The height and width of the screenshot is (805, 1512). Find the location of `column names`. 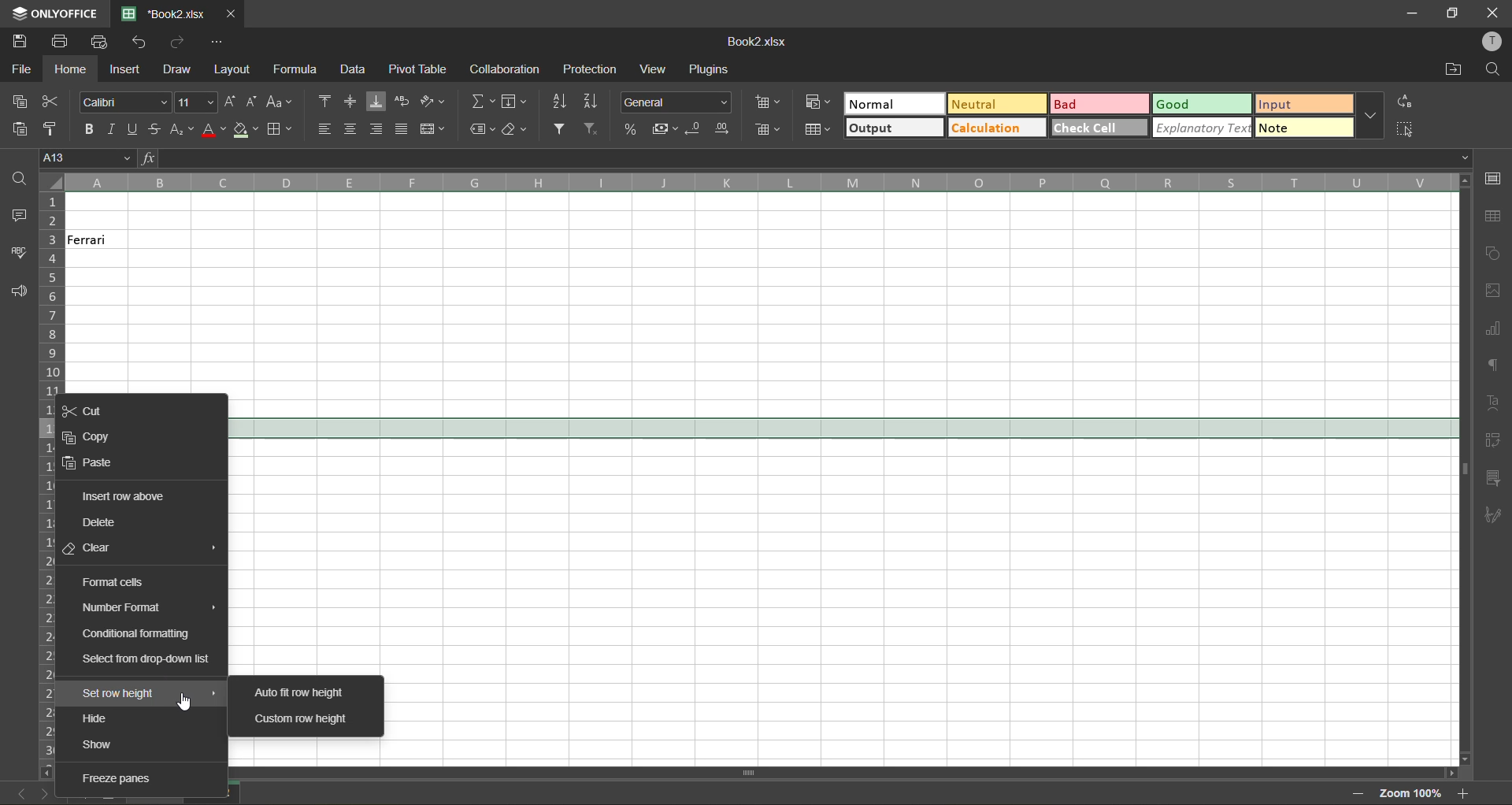

column names is located at coordinates (756, 183).